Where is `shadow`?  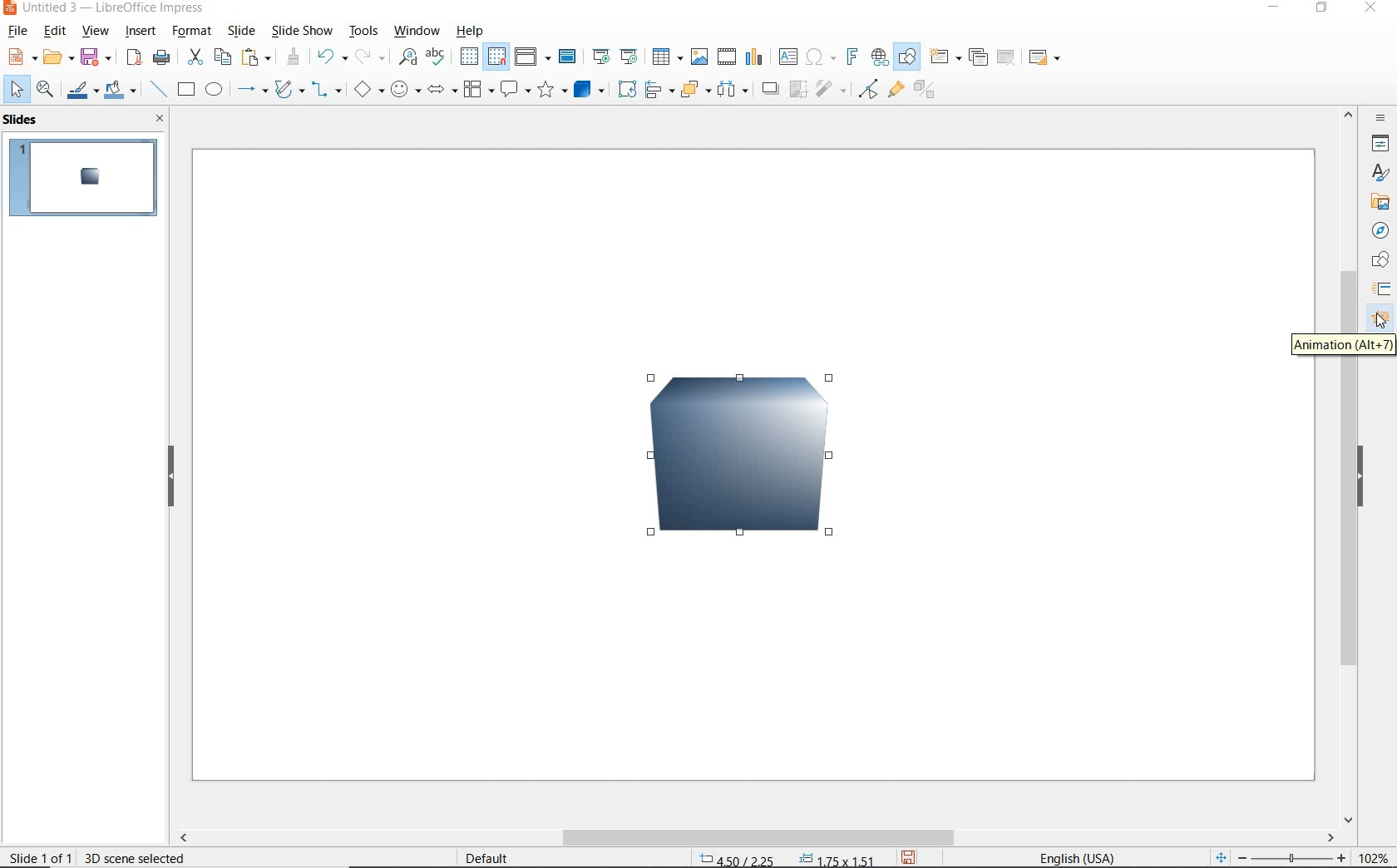
shadow is located at coordinates (773, 89).